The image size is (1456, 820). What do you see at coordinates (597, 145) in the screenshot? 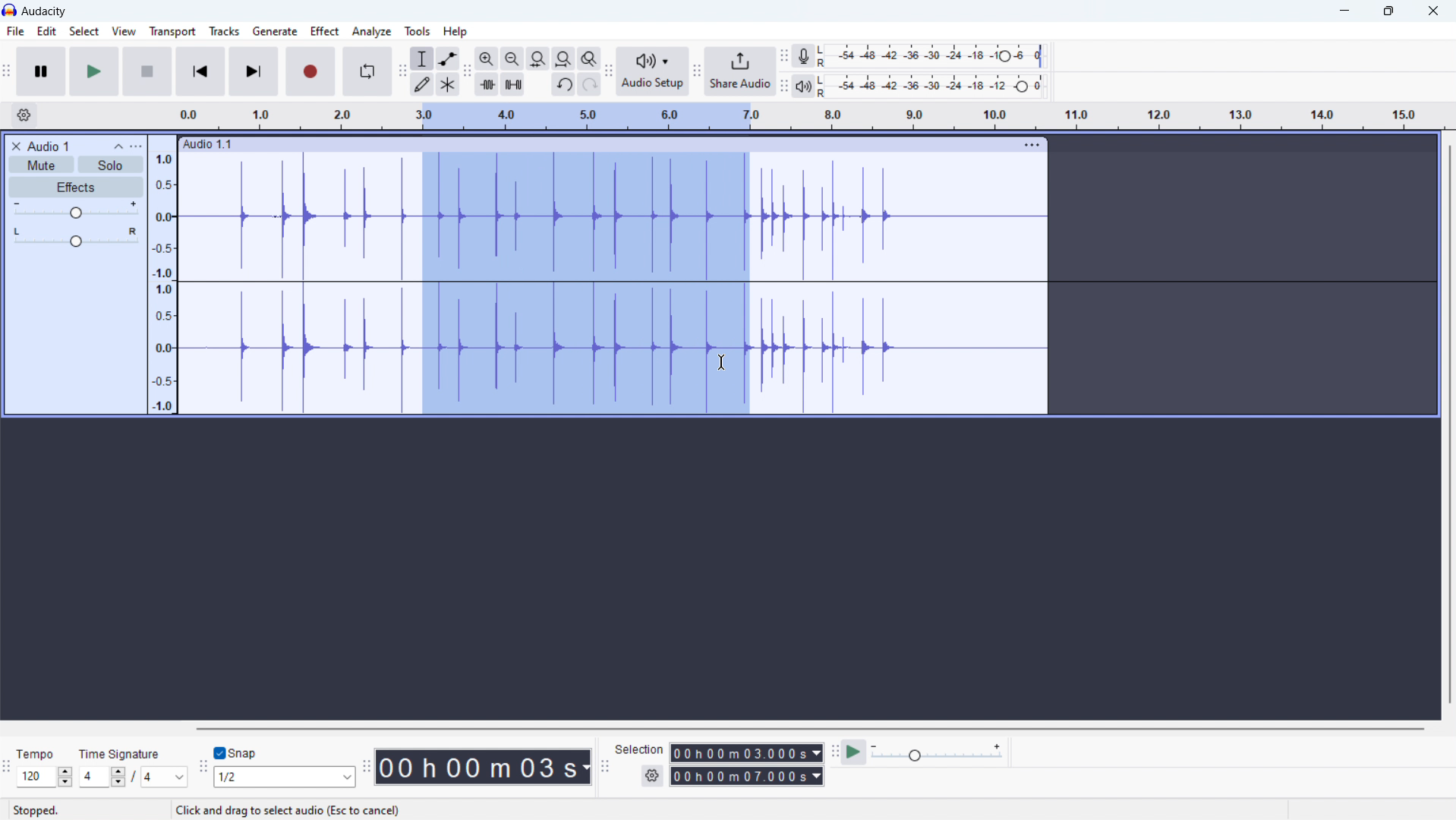
I see `hold to move` at bounding box center [597, 145].